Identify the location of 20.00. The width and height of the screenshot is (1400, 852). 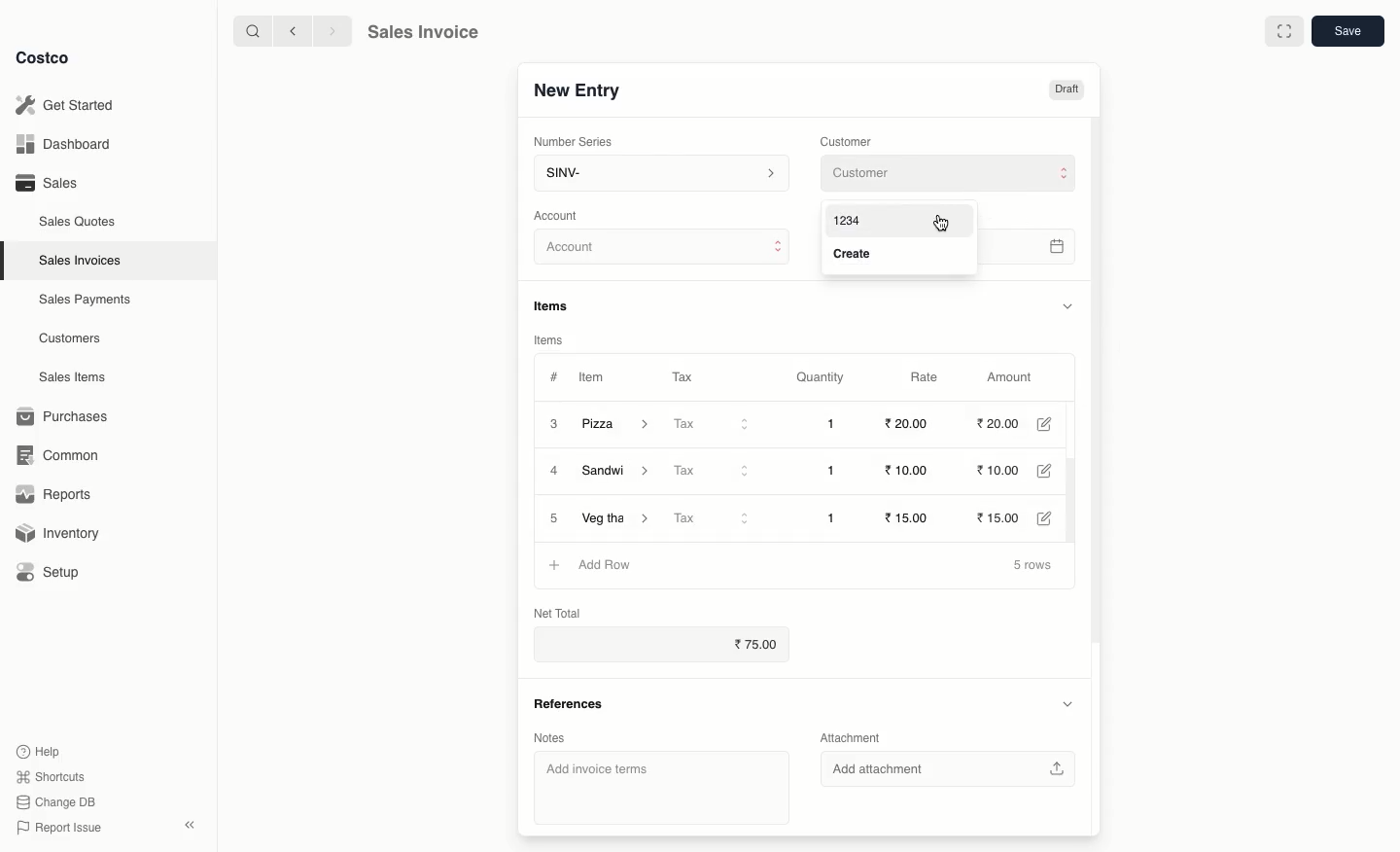
(1000, 424).